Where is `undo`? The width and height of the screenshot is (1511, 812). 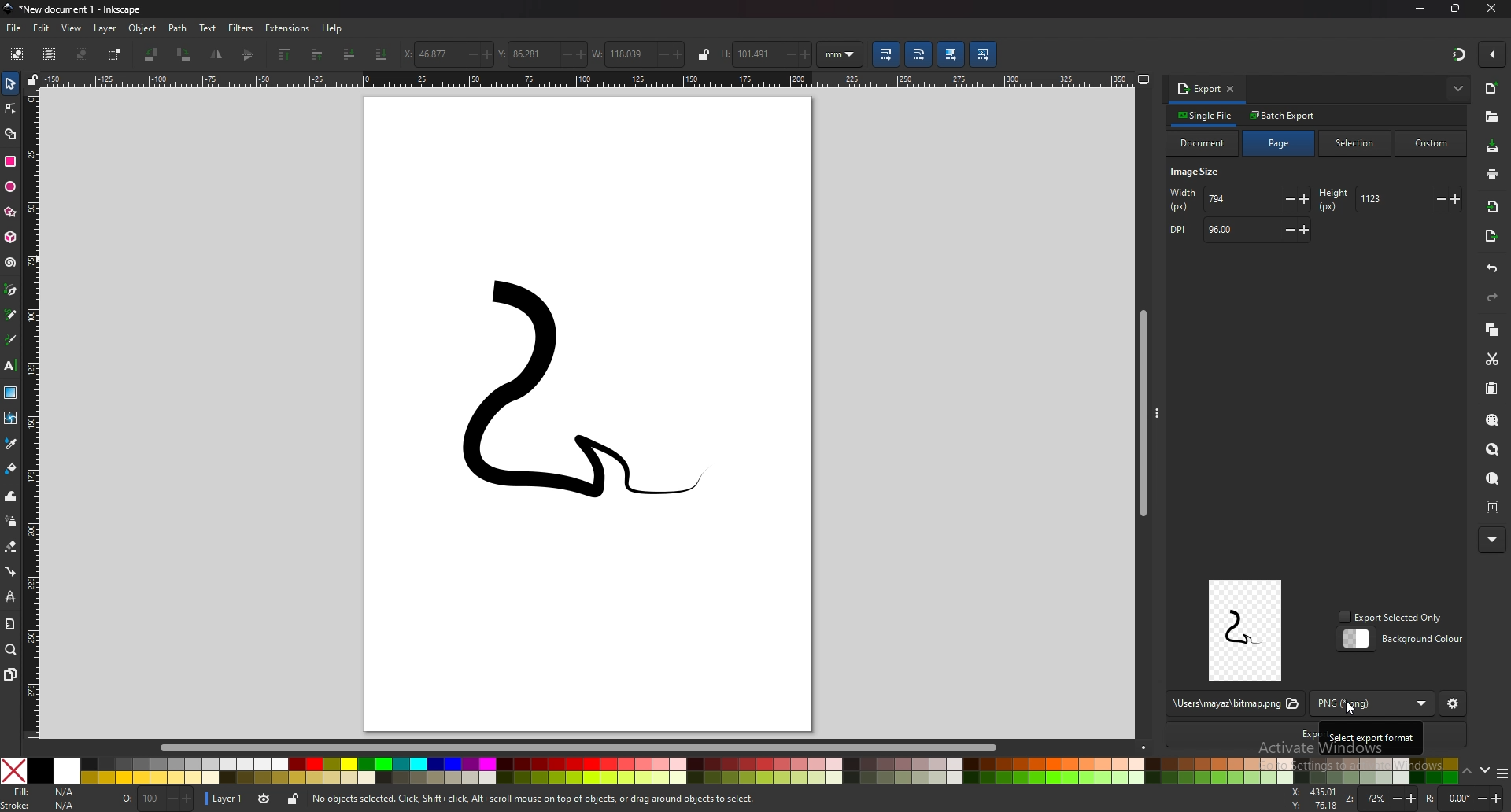 undo is located at coordinates (1493, 269).